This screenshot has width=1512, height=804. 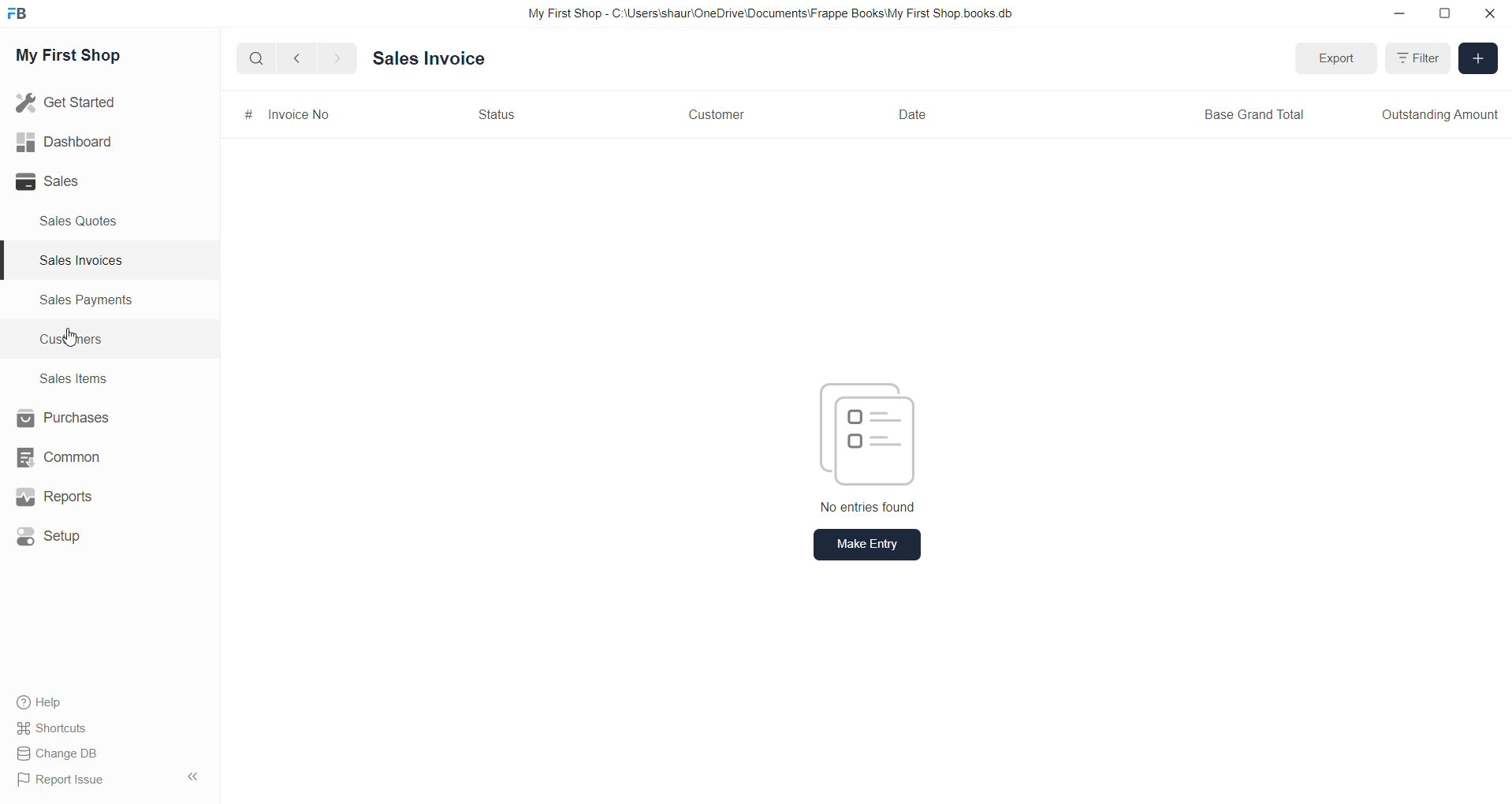 I want to click on Report Issue, so click(x=61, y=779).